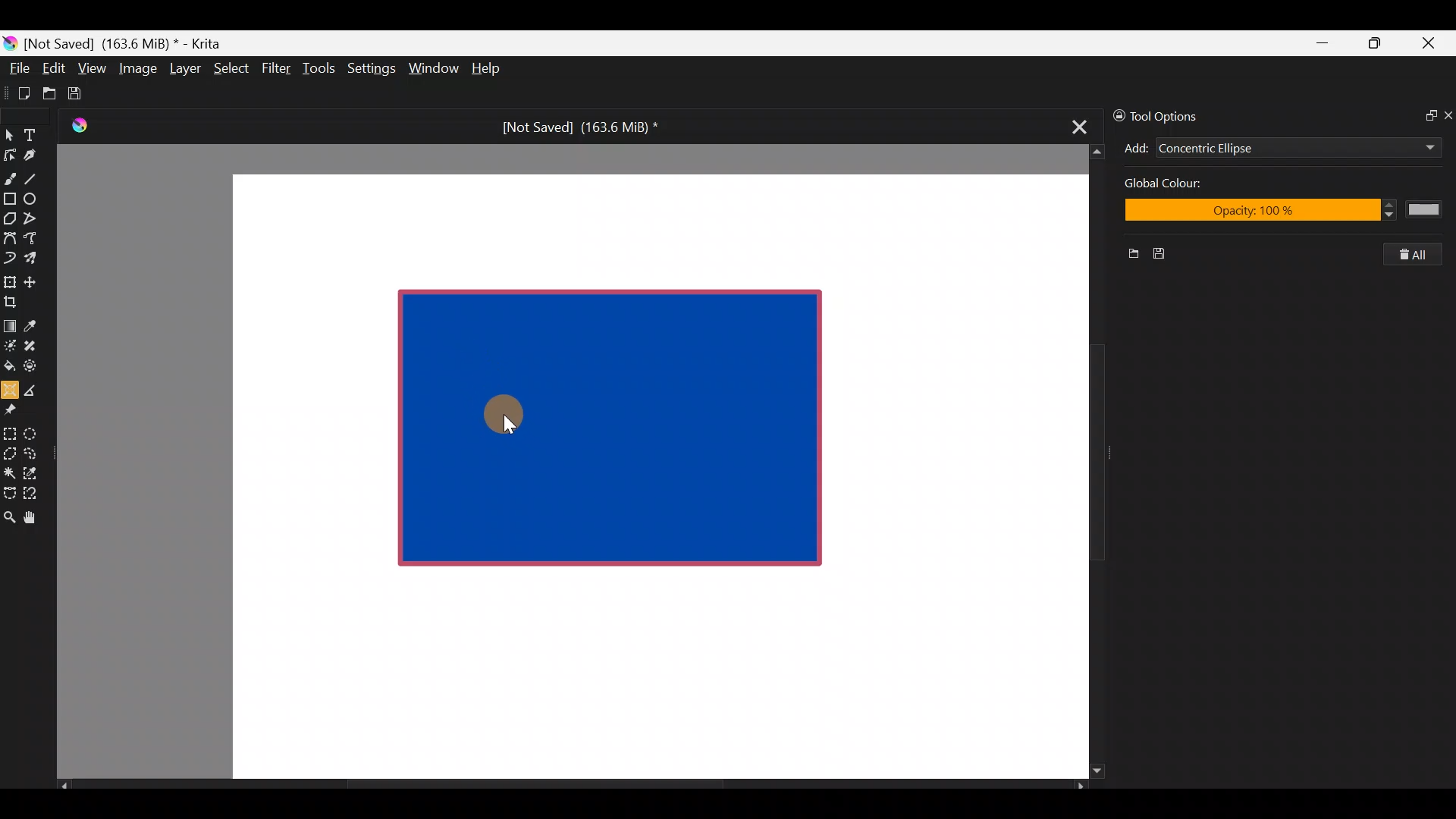 The image size is (1456, 819). I want to click on Draw a gradient, so click(9, 322).